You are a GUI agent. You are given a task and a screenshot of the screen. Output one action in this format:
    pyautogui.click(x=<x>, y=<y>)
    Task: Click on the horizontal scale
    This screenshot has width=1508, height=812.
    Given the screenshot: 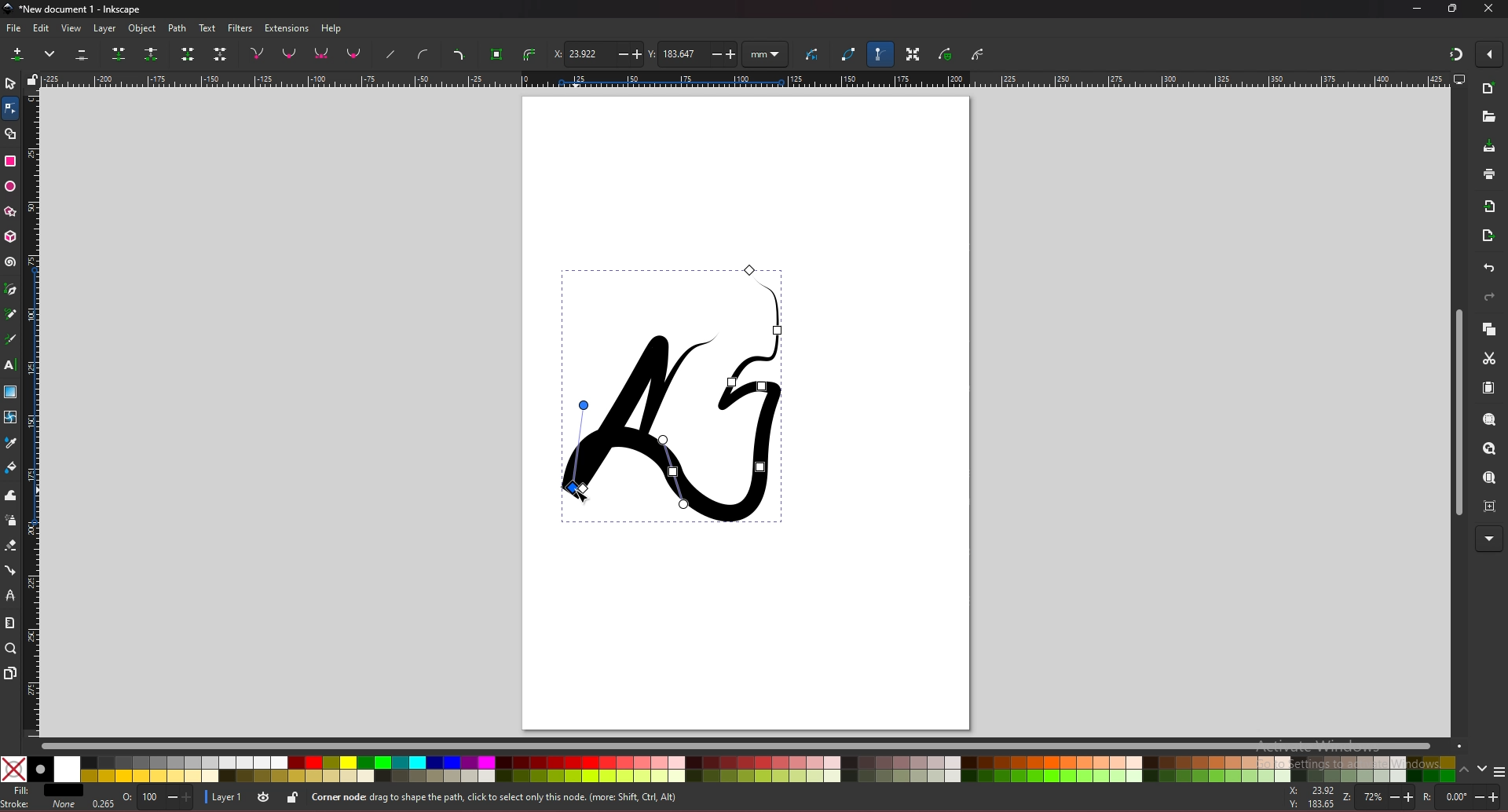 What is the action you would take?
    pyautogui.click(x=745, y=79)
    